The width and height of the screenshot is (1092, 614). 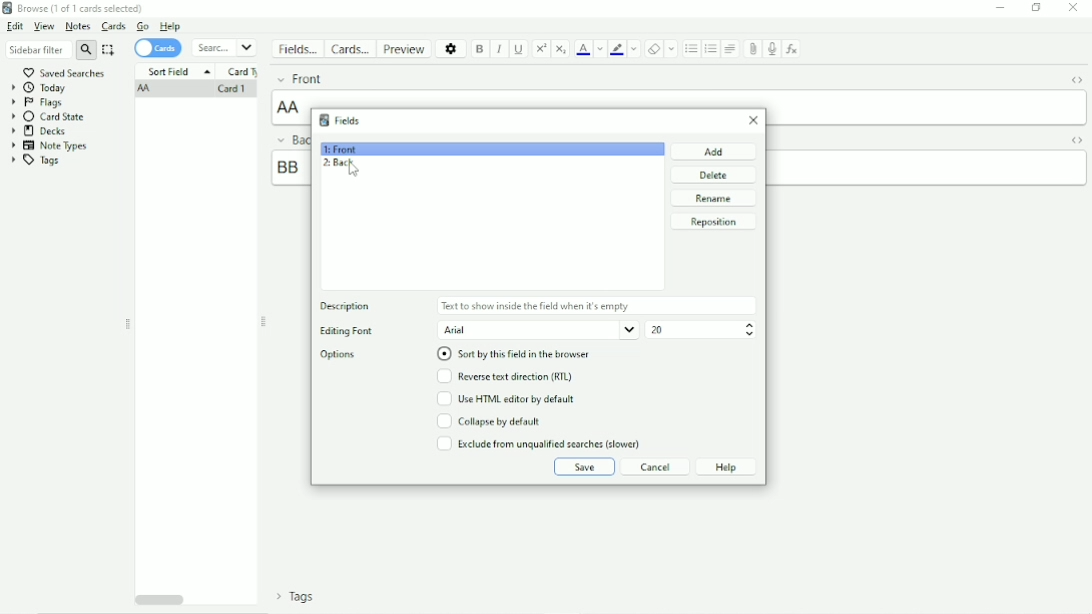 What do you see at coordinates (15, 26) in the screenshot?
I see `Edit` at bounding box center [15, 26].